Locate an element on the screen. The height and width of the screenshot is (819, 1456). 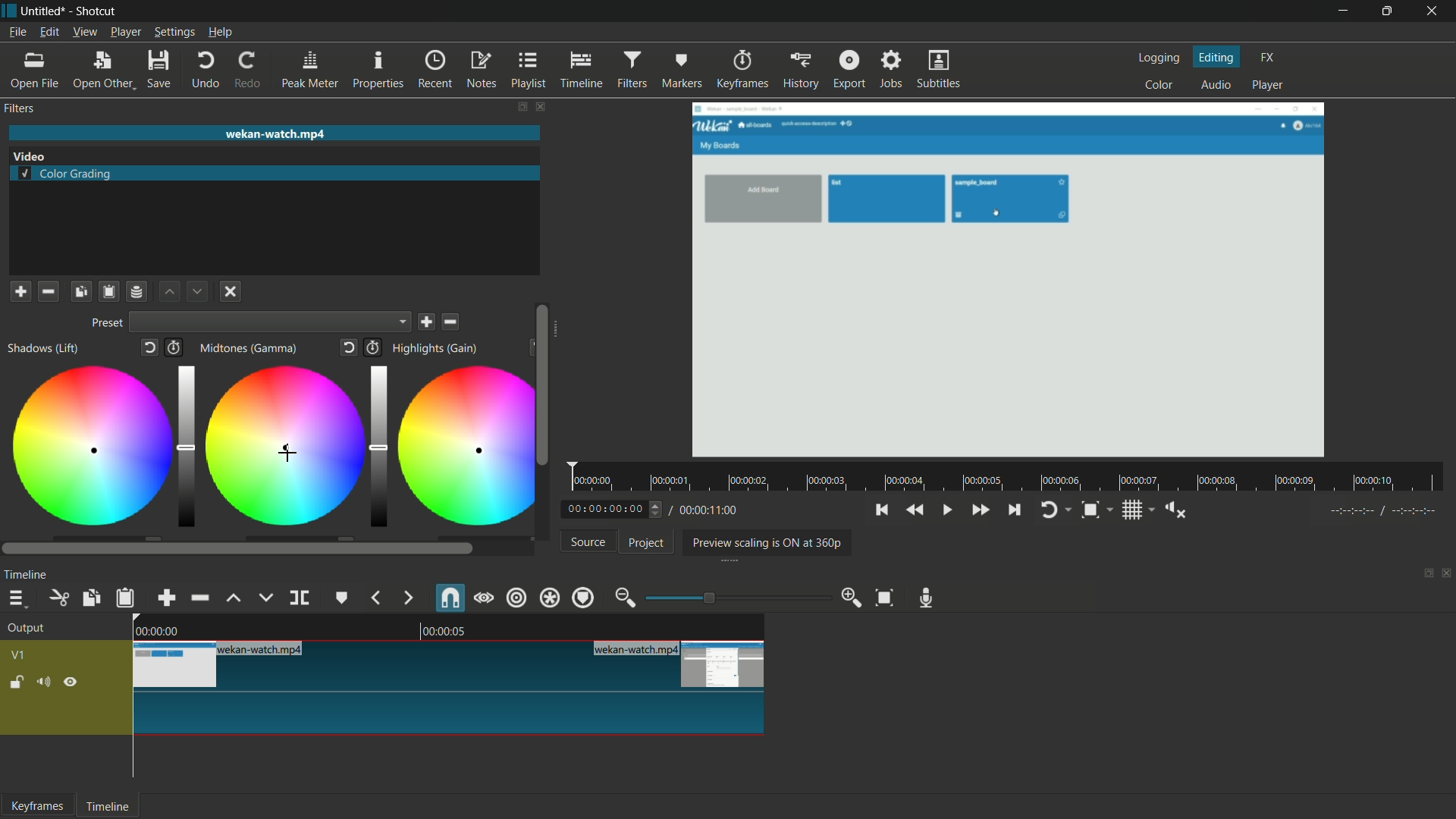
snap is located at coordinates (449, 598).